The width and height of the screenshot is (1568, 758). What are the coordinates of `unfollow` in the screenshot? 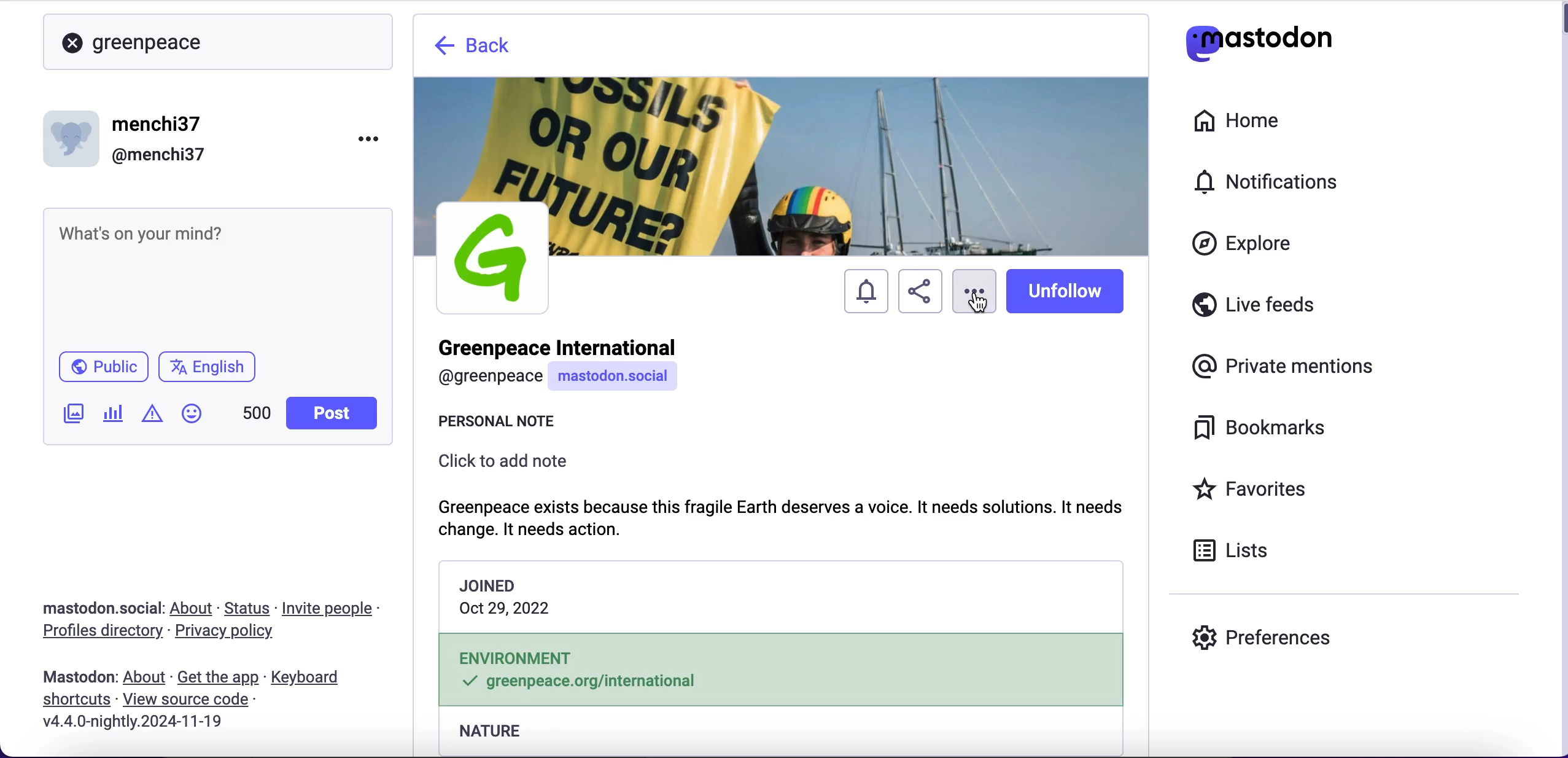 It's located at (1069, 293).